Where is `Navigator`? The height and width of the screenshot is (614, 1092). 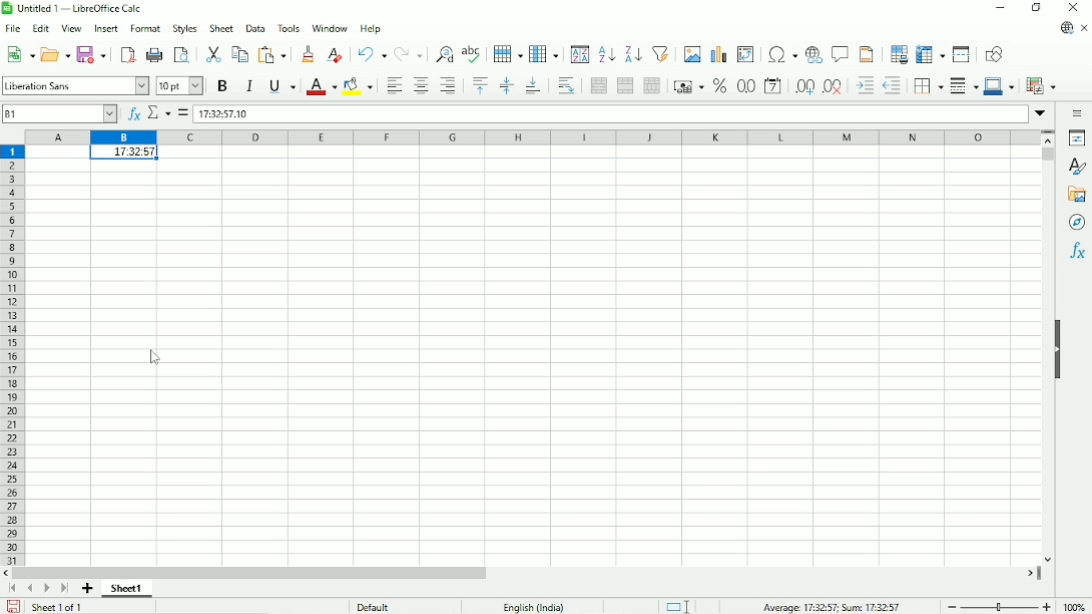
Navigator is located at coordinates (1077, 223).